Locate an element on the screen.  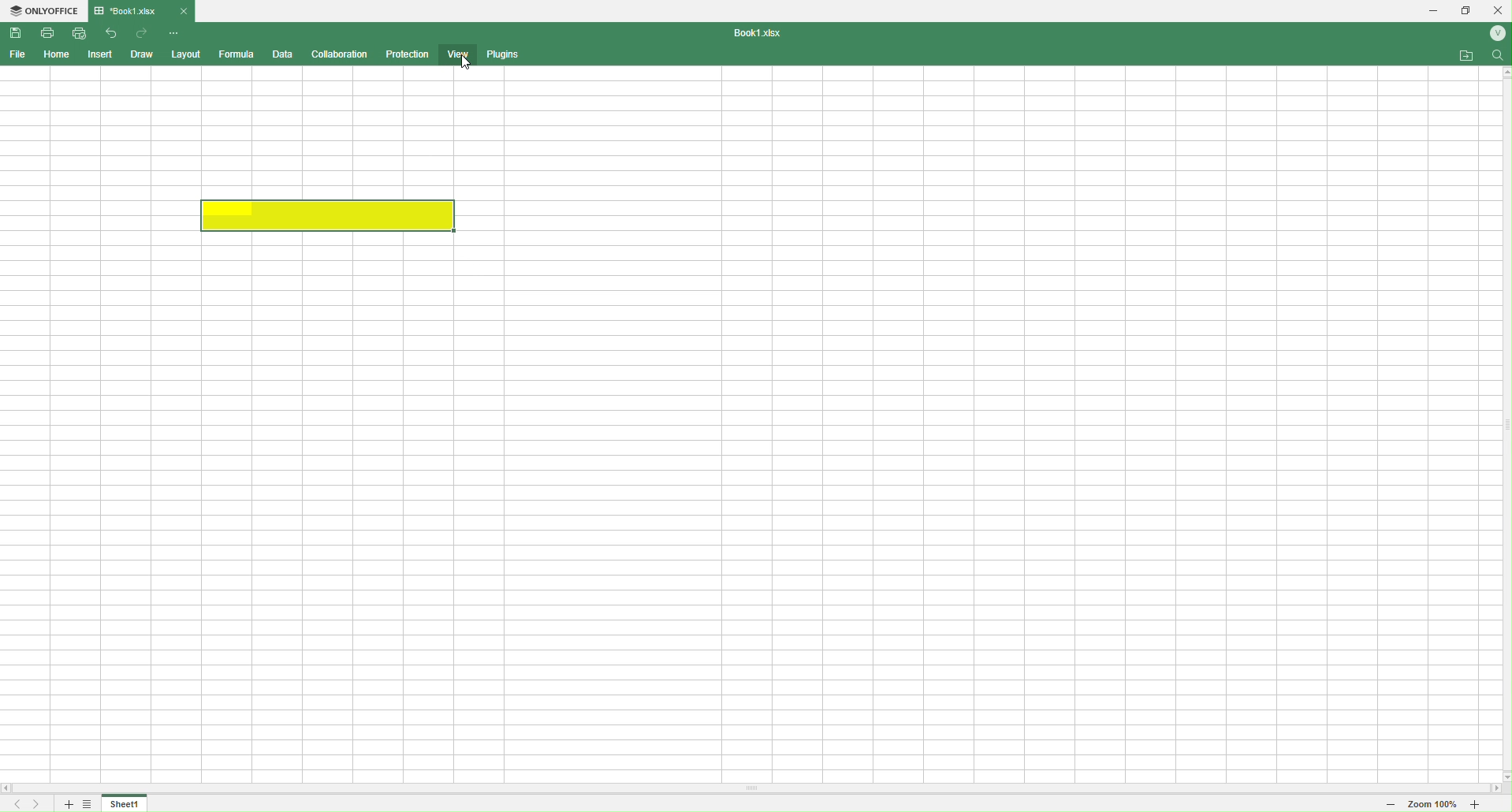
Home is located at coordinates (54, 55).